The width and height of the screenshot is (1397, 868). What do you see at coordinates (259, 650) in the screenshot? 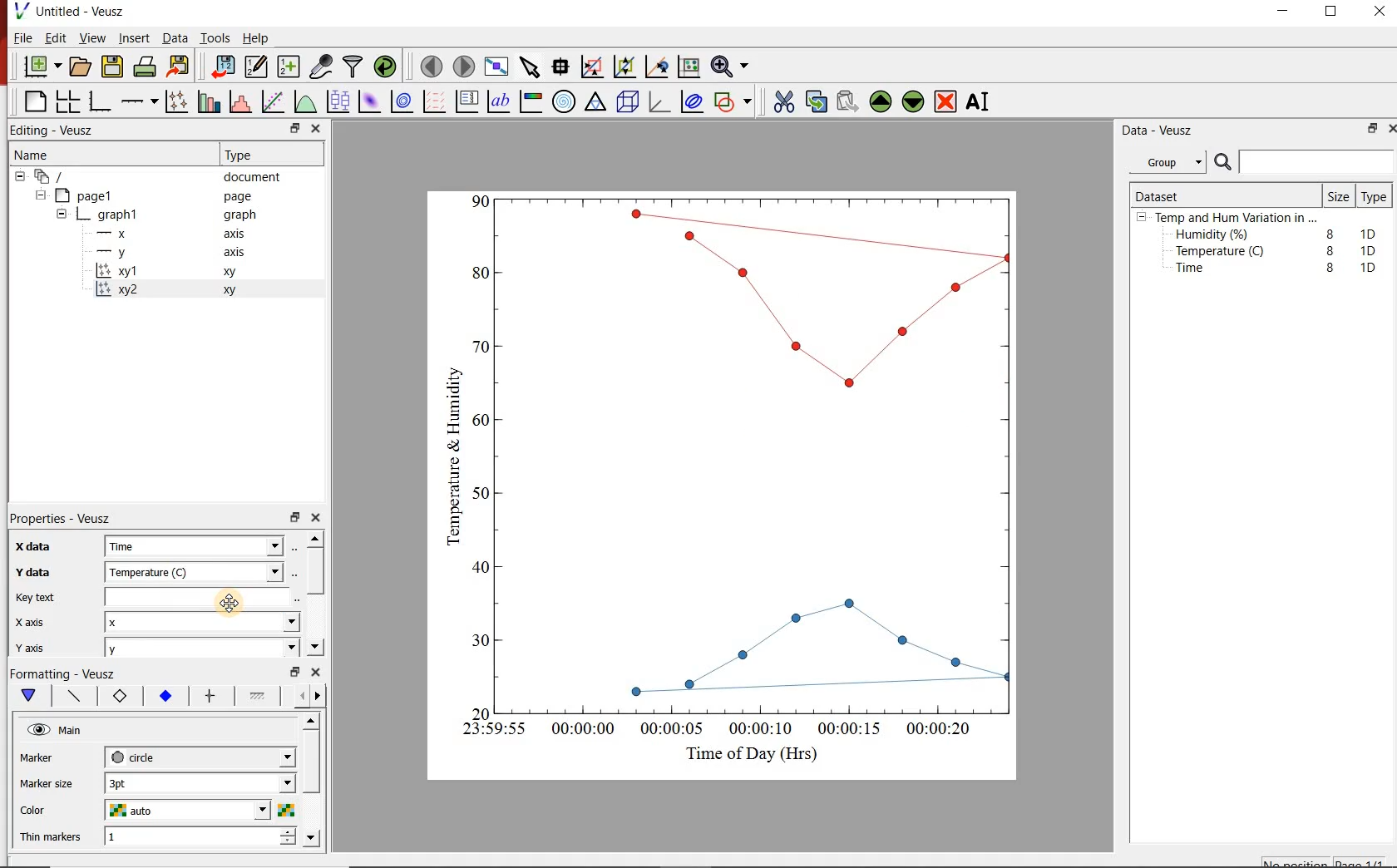
I see `y axis dropdown` at bounding box center [259, 650].